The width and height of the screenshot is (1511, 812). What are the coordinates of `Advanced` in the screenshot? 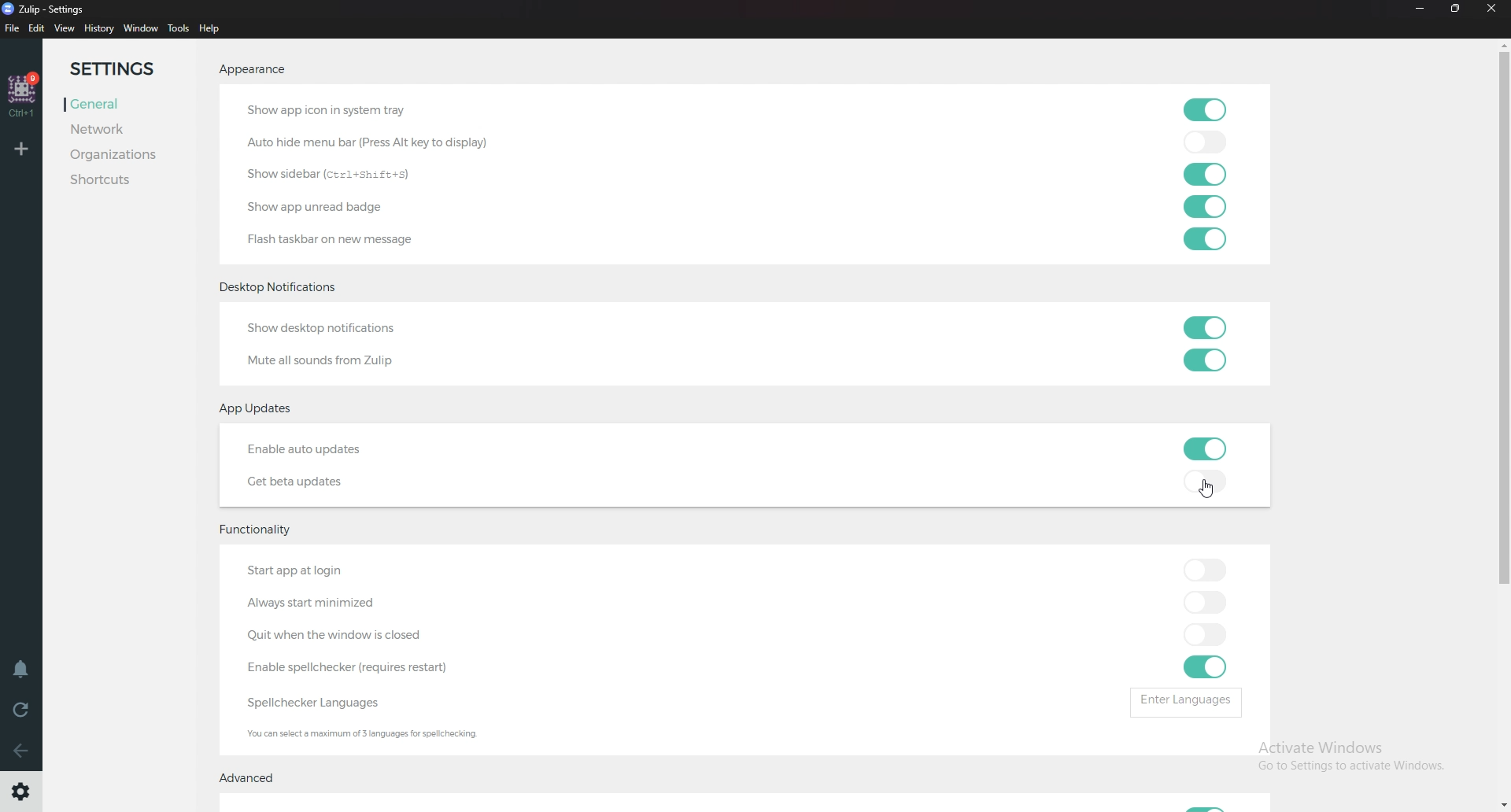 It's located at (256, 777).